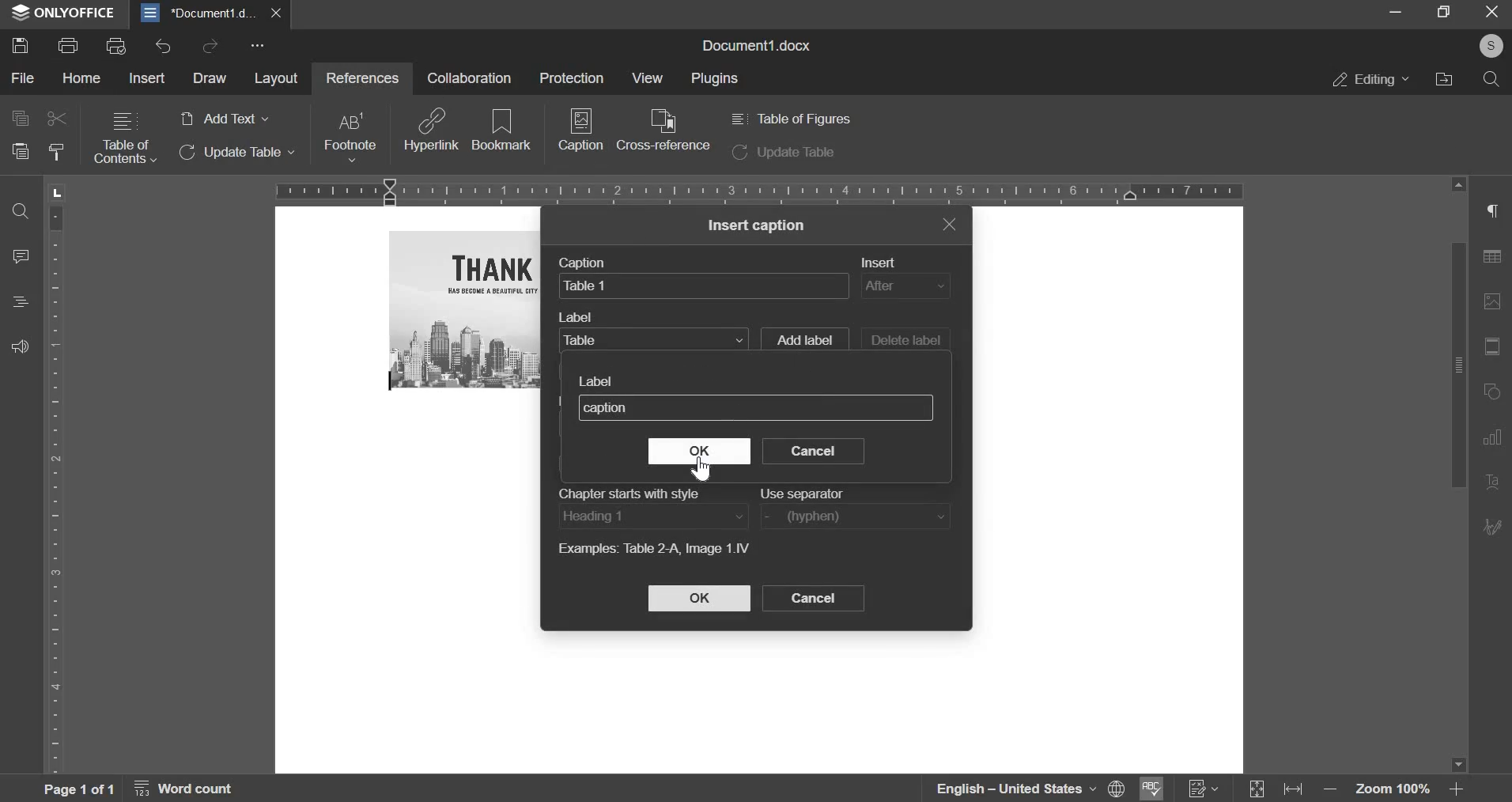 This screenshot has width=1512, height=802. Describe the element at coordinates (1457, 475) in the screenshot. I see `vertical slider` at that location.